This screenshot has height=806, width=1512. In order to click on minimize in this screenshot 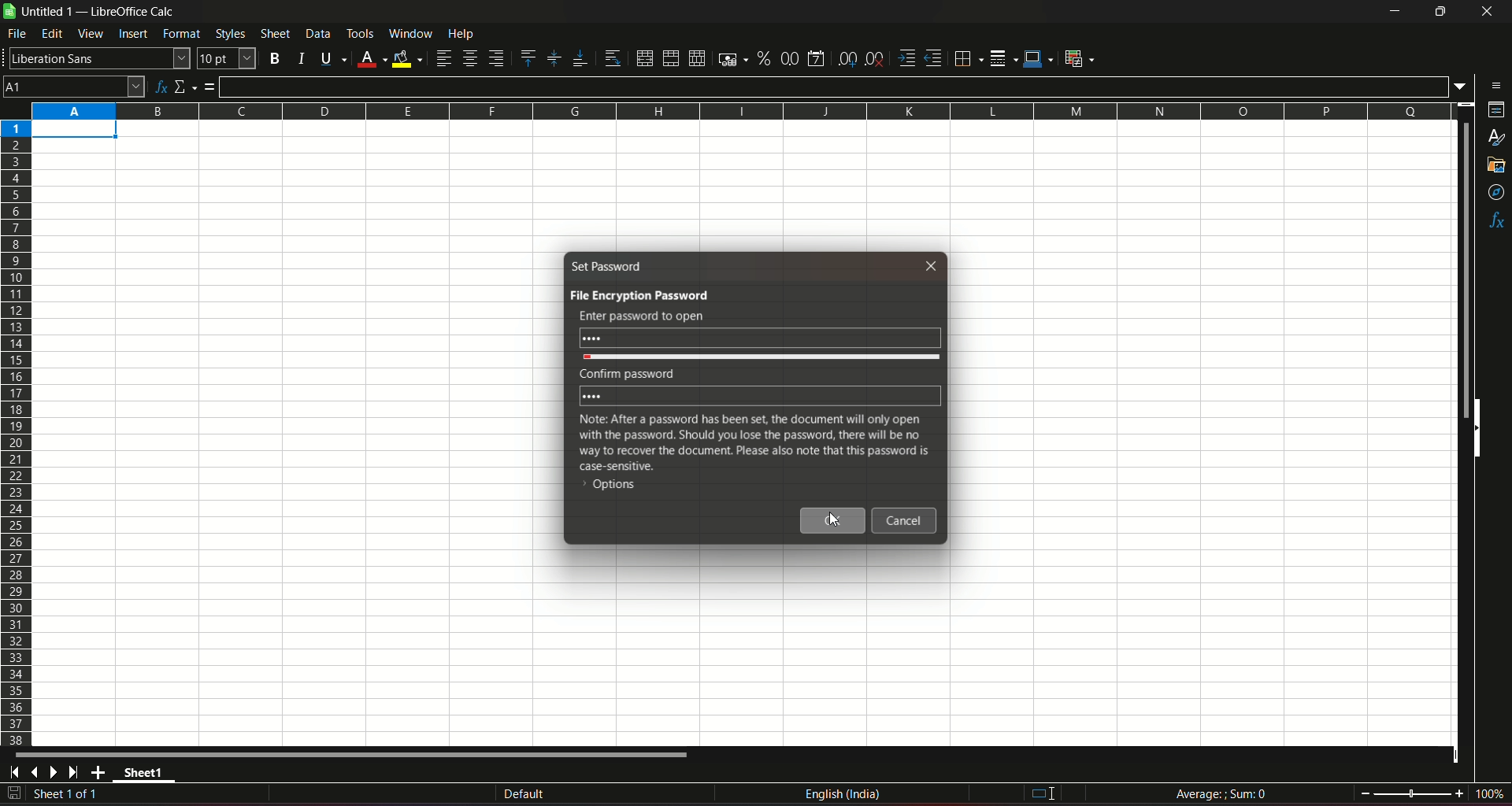, I will do `click(1393, 12)`.